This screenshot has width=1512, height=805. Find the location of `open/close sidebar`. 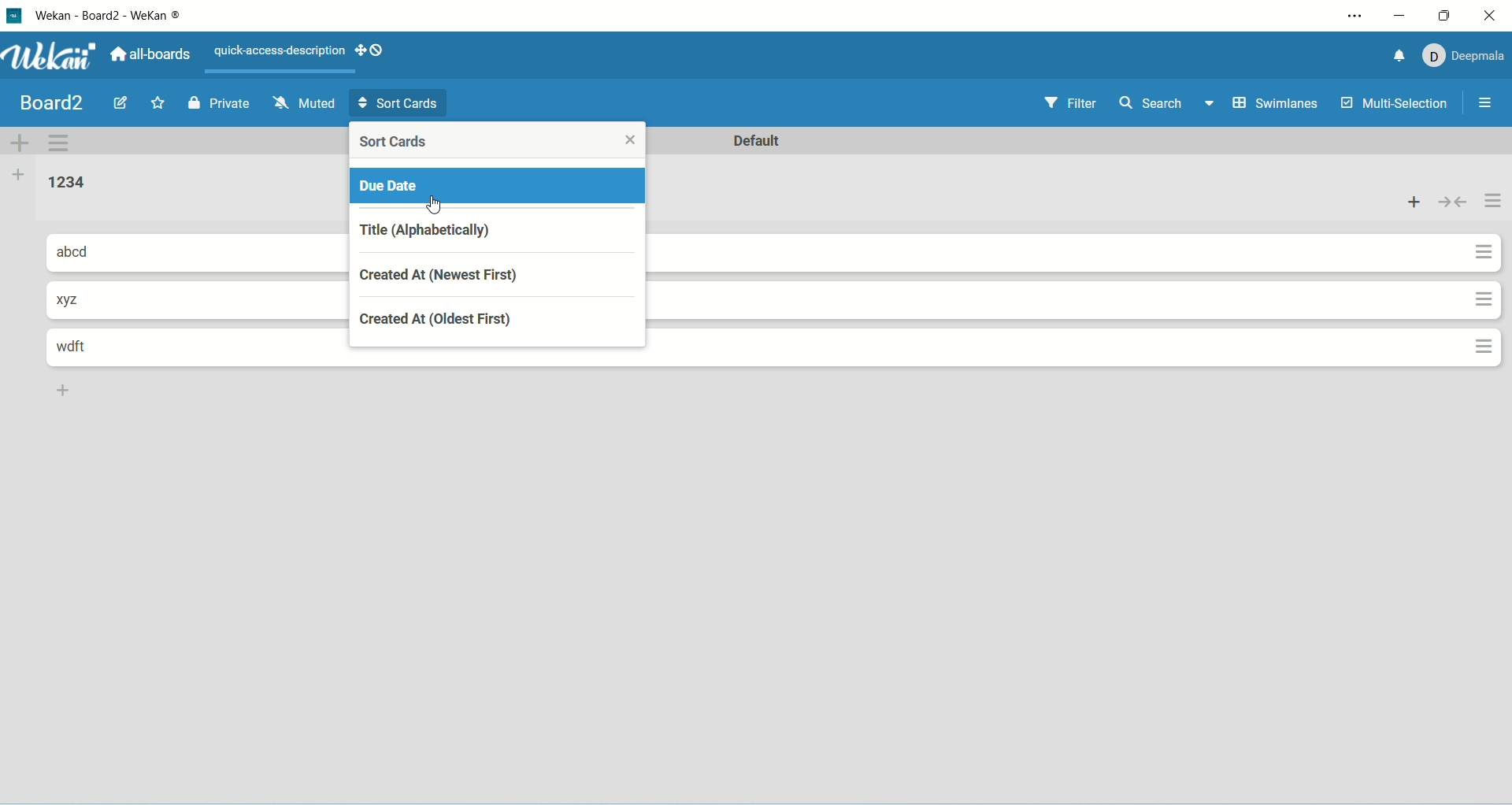

open/close sidebar is located at coordinates (1487, 103).